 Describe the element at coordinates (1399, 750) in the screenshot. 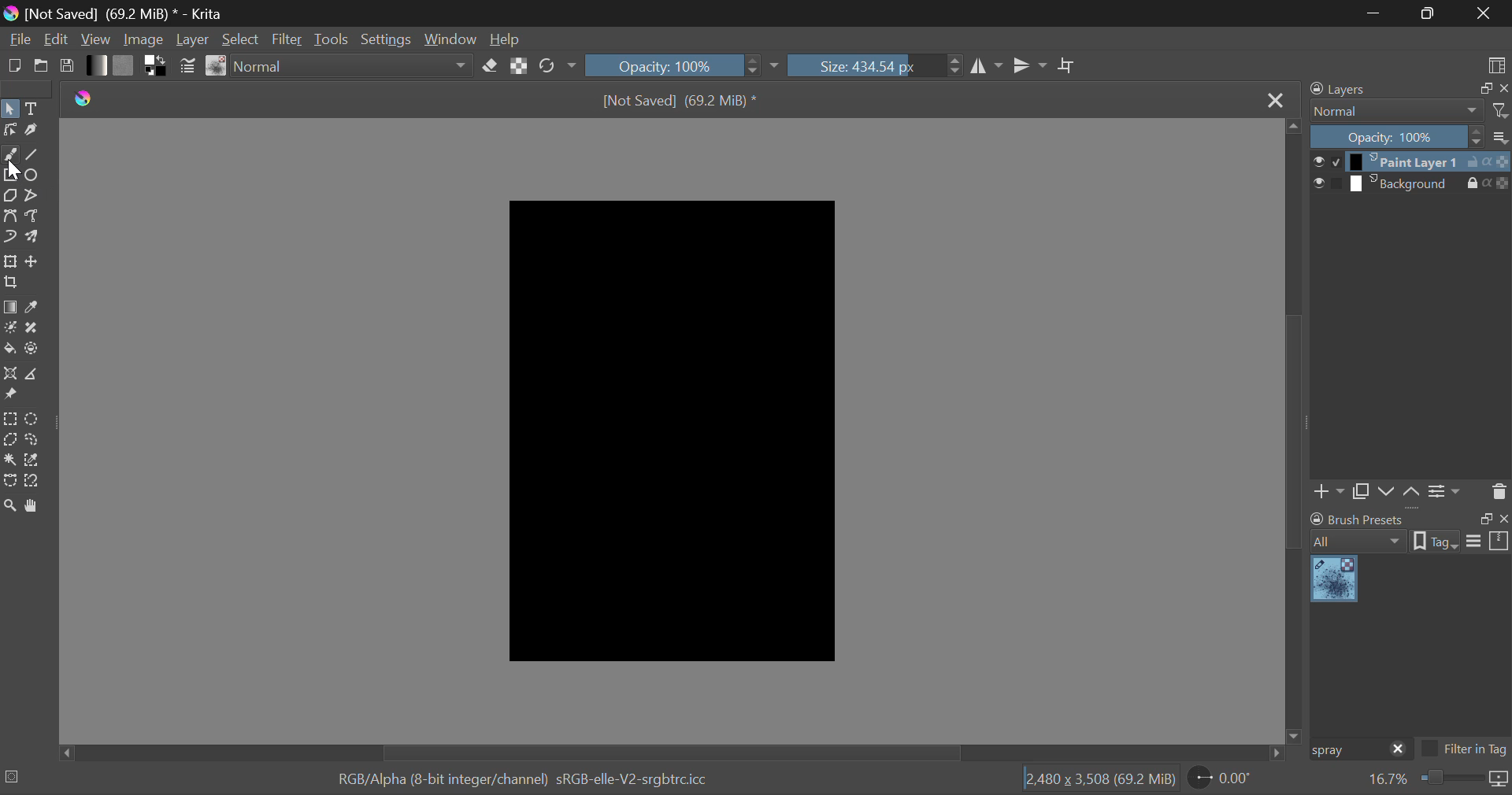

I see `close` at that location.